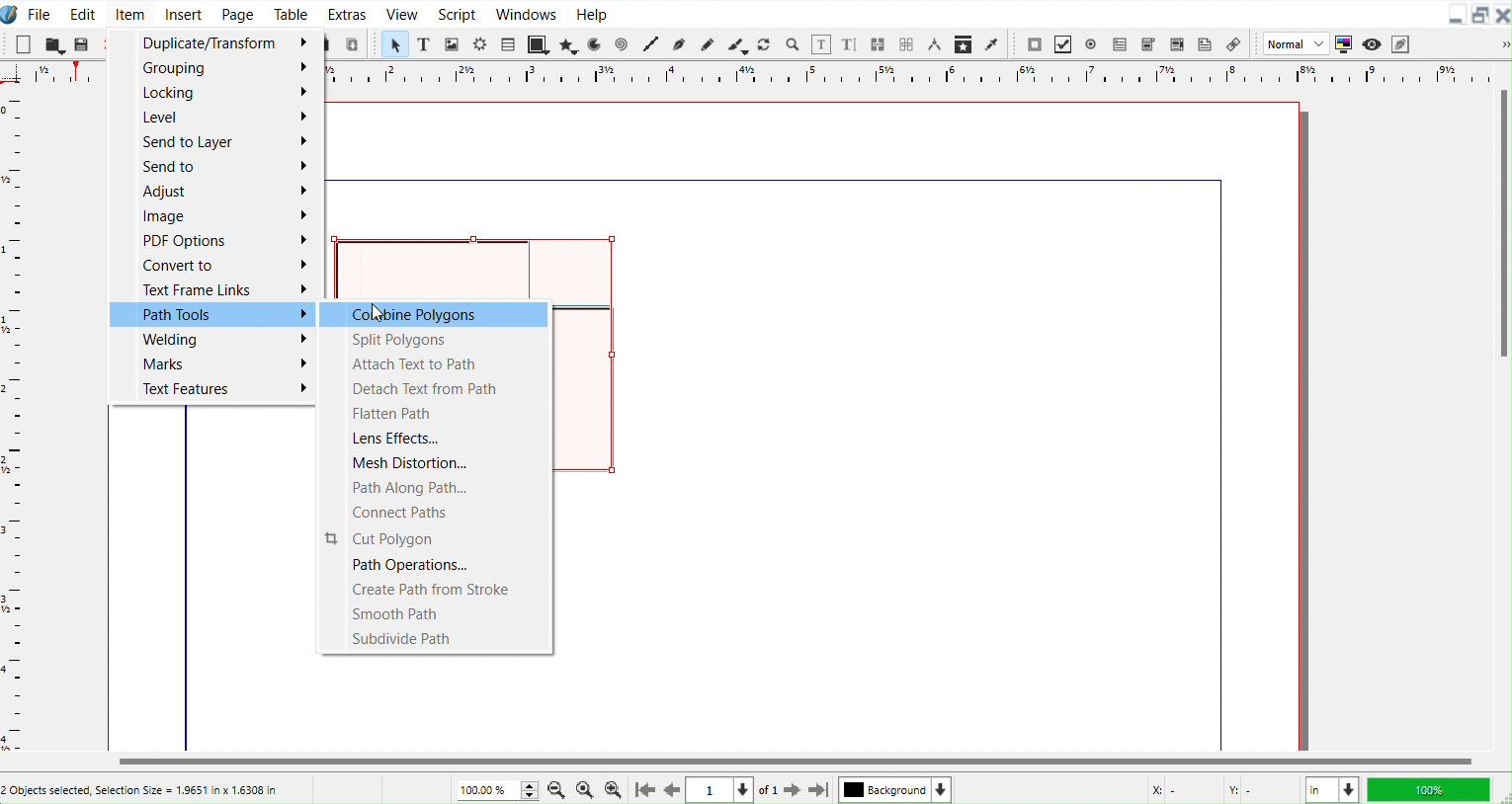 Image resolution: width=1512 pixels, height=804 pixels. What do you see at coordinates (795, 791) in the screenshot?
I see `Go to next page` at bounding box center [795, 791].